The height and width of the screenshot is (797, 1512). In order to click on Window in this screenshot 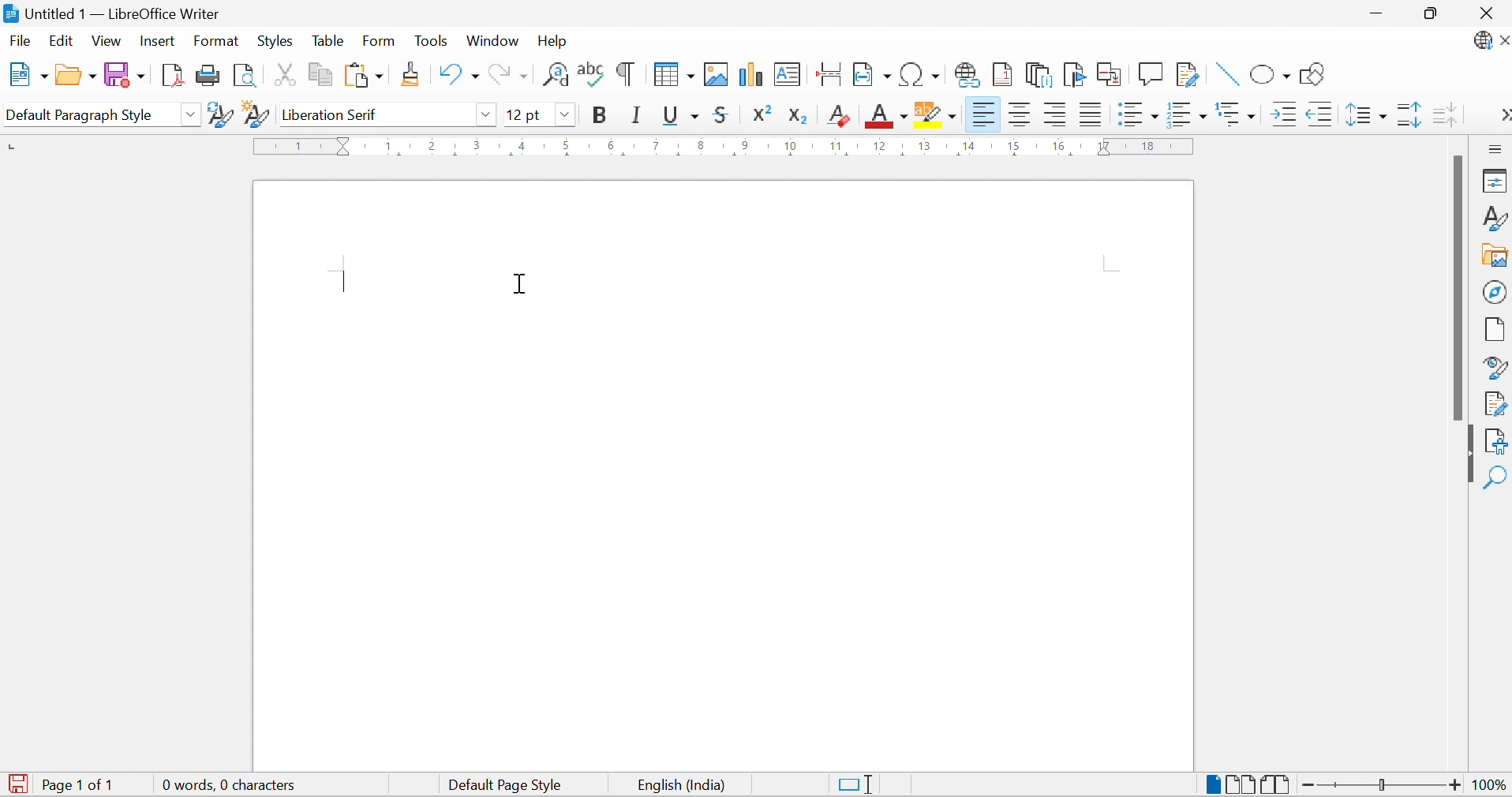, I will do `click(492, 42)`.